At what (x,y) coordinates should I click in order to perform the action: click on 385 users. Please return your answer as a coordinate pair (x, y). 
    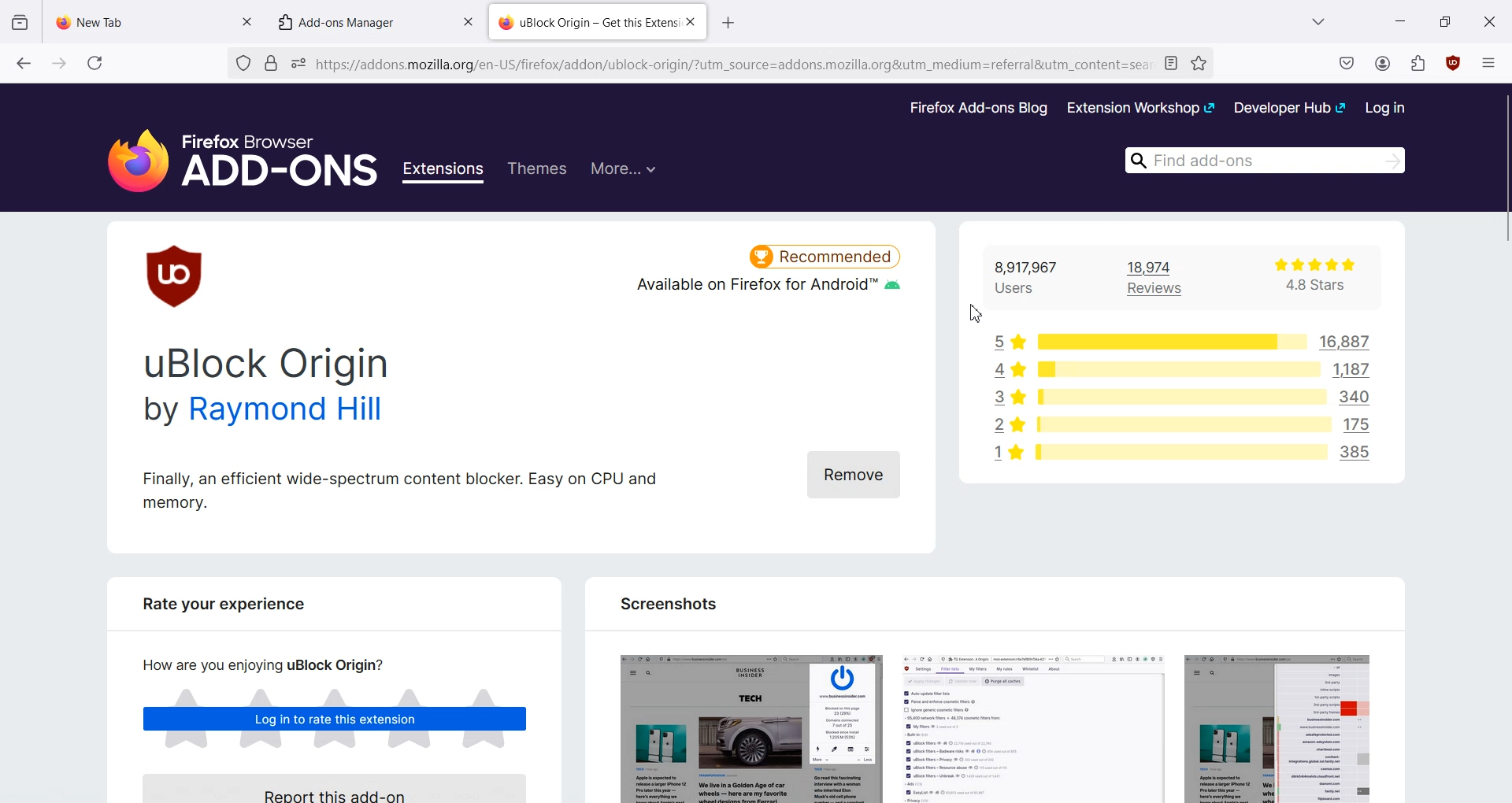
    Looking at the image, I should click on (1362, 455).